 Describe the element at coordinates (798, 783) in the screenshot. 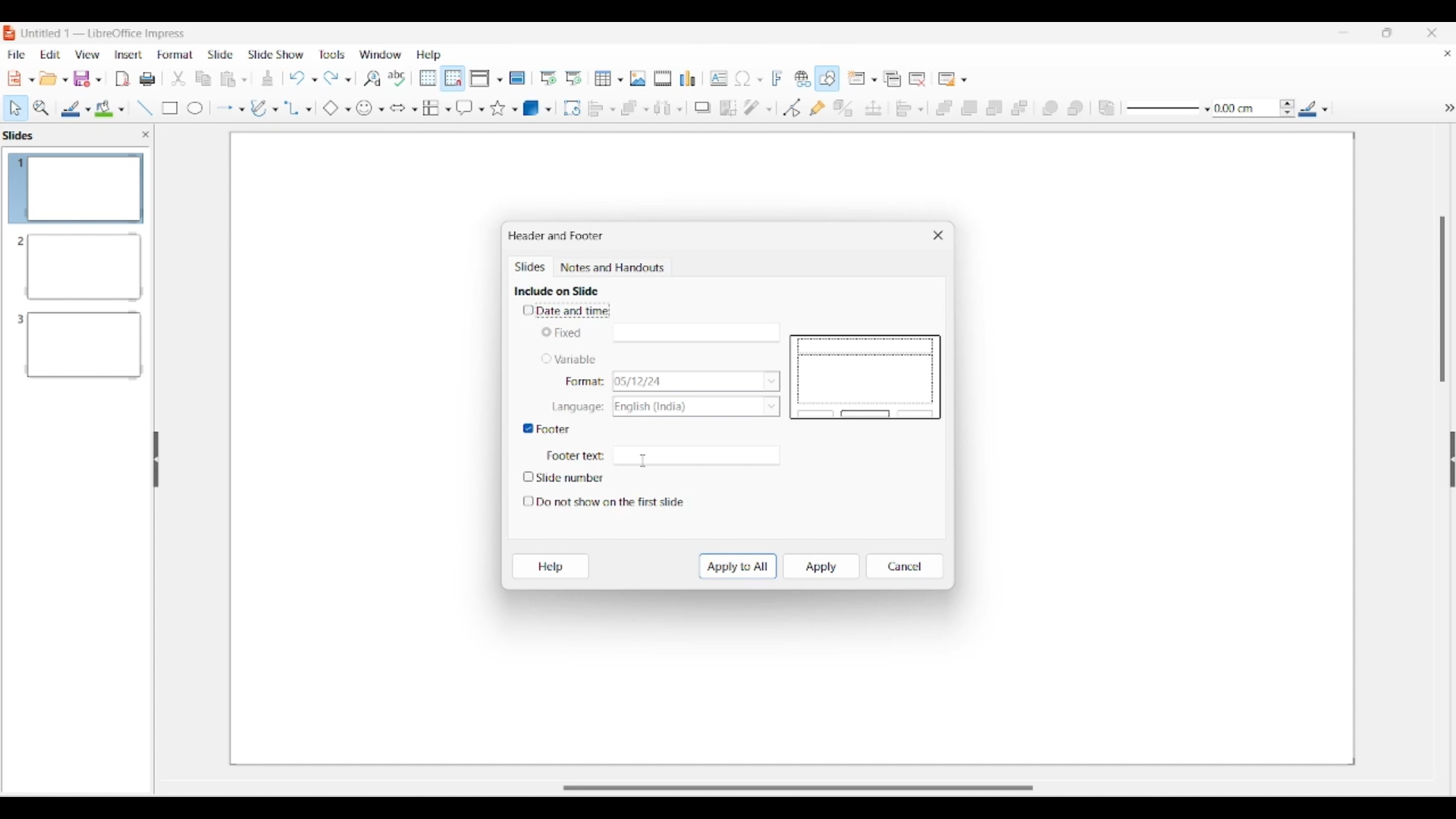

I see `Slider` at that location.